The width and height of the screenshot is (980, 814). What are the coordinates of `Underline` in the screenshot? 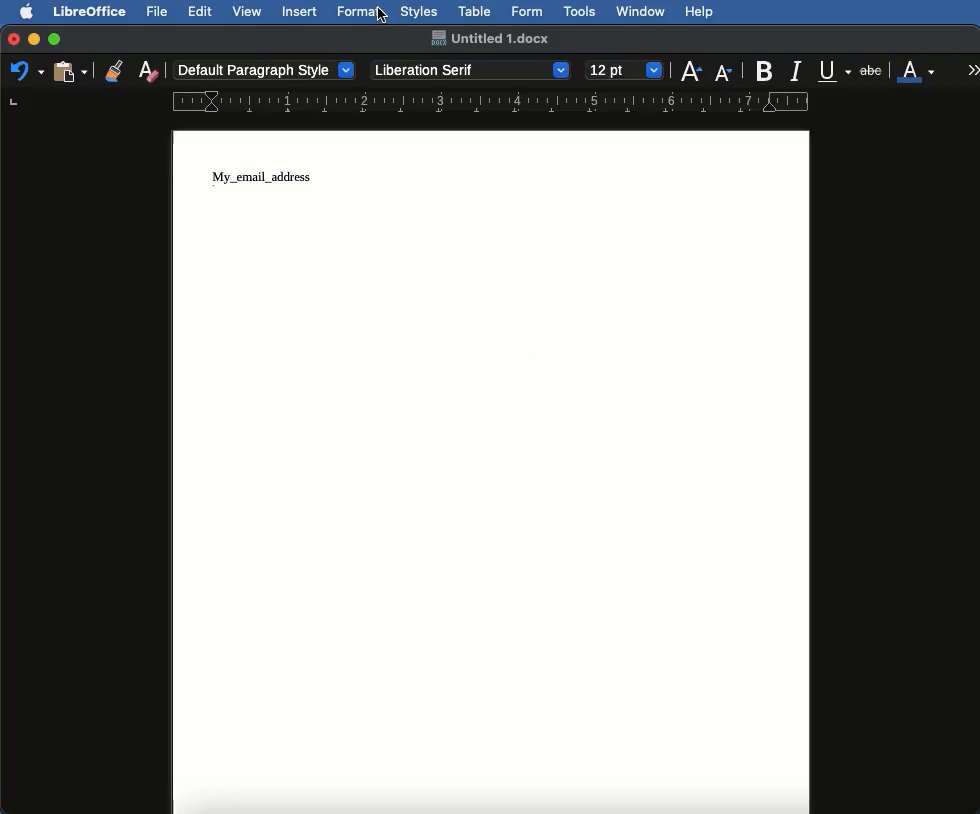 It's located at (836, 72).